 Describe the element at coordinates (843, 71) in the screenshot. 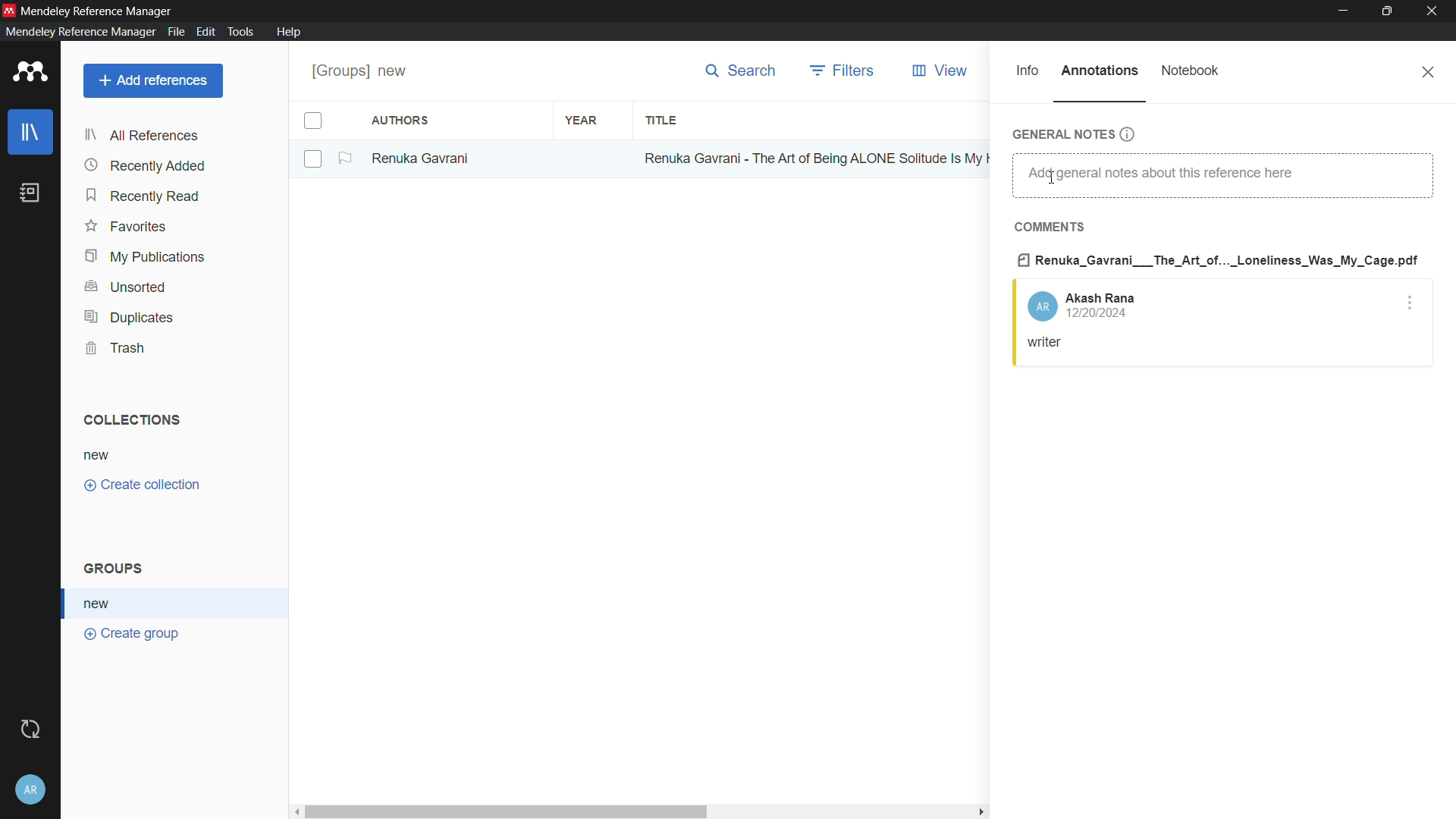

I see `filters` at that location.